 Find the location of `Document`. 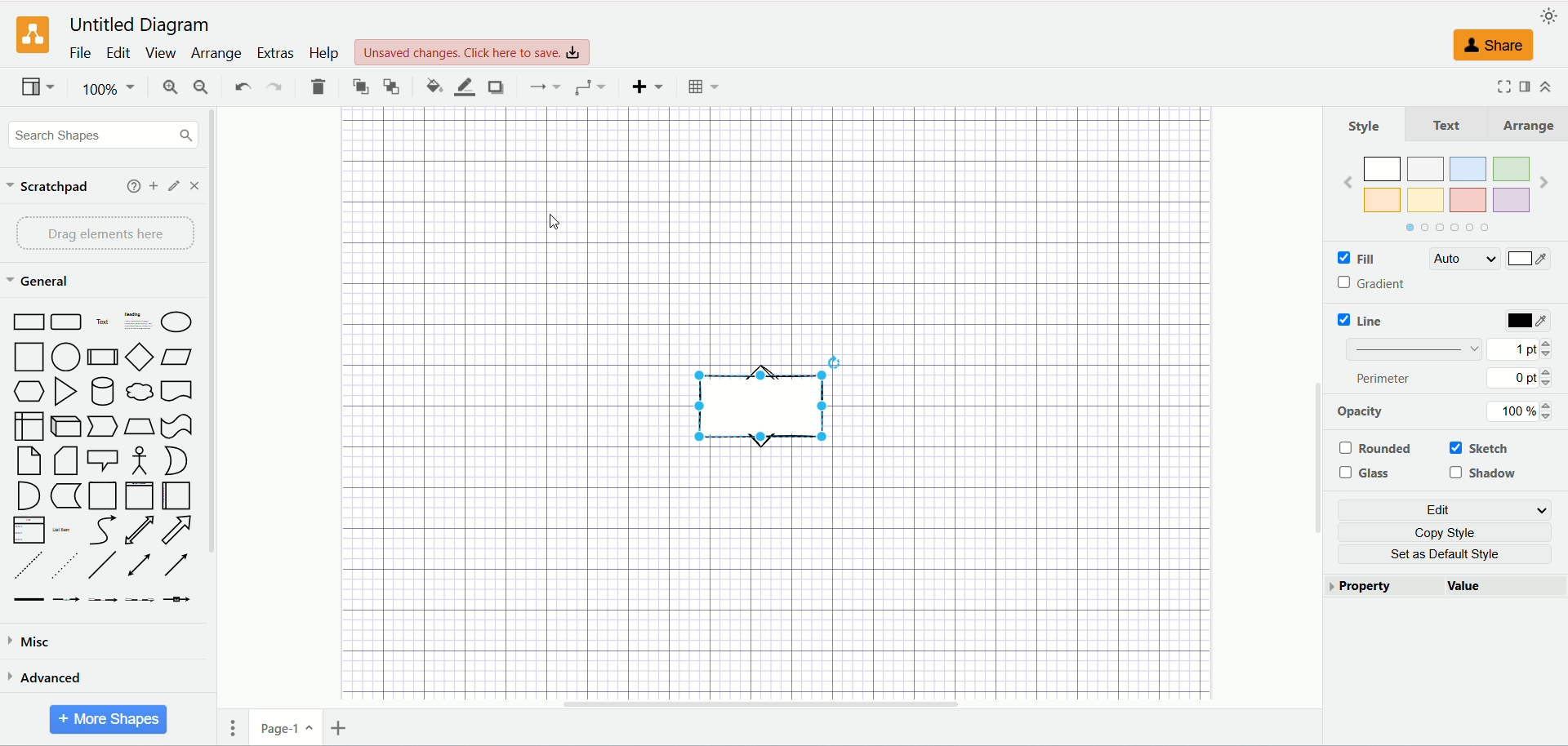

Document is located at coordinates (180, 393).